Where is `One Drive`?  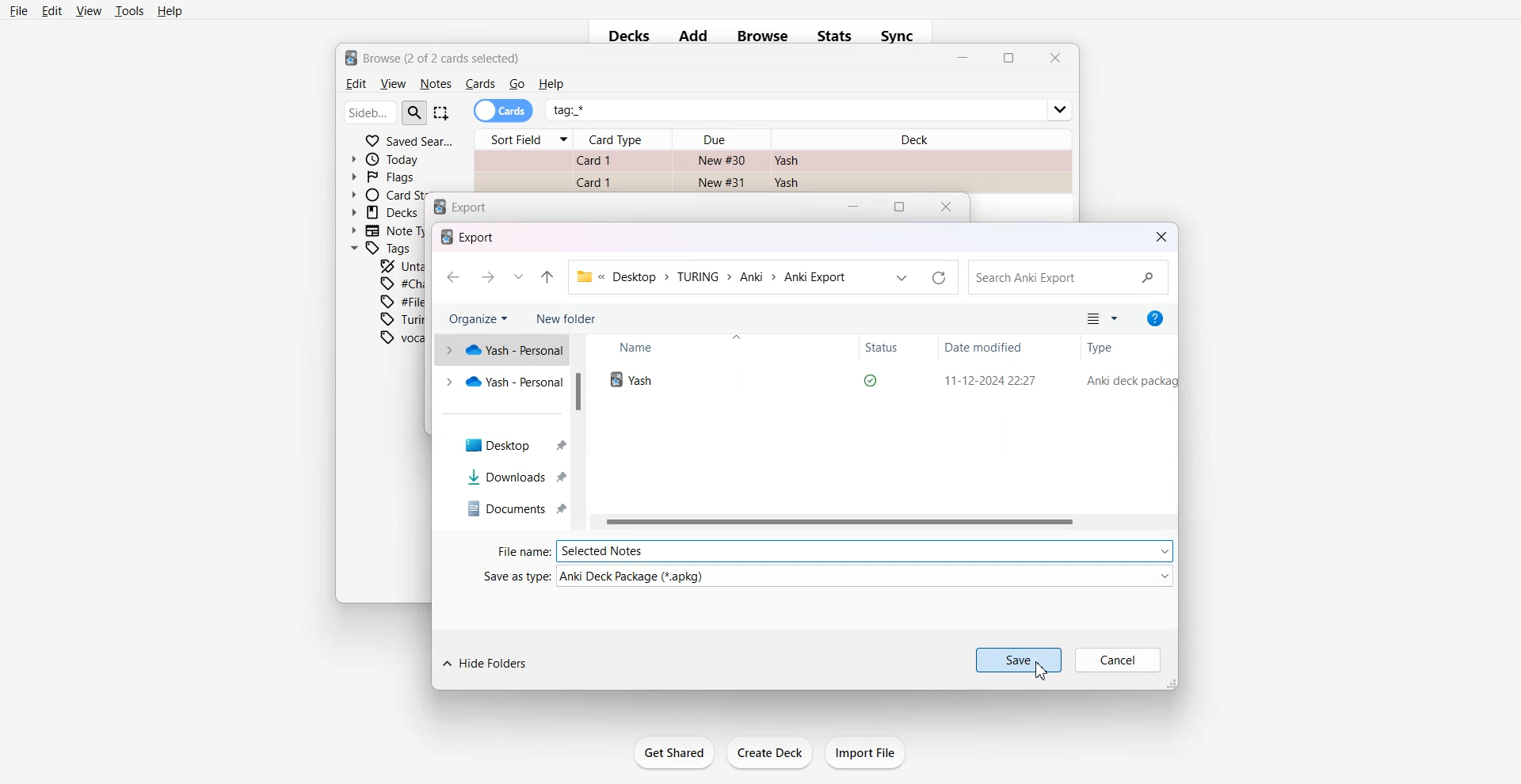
One Drive is located at coordinates (501, 381).